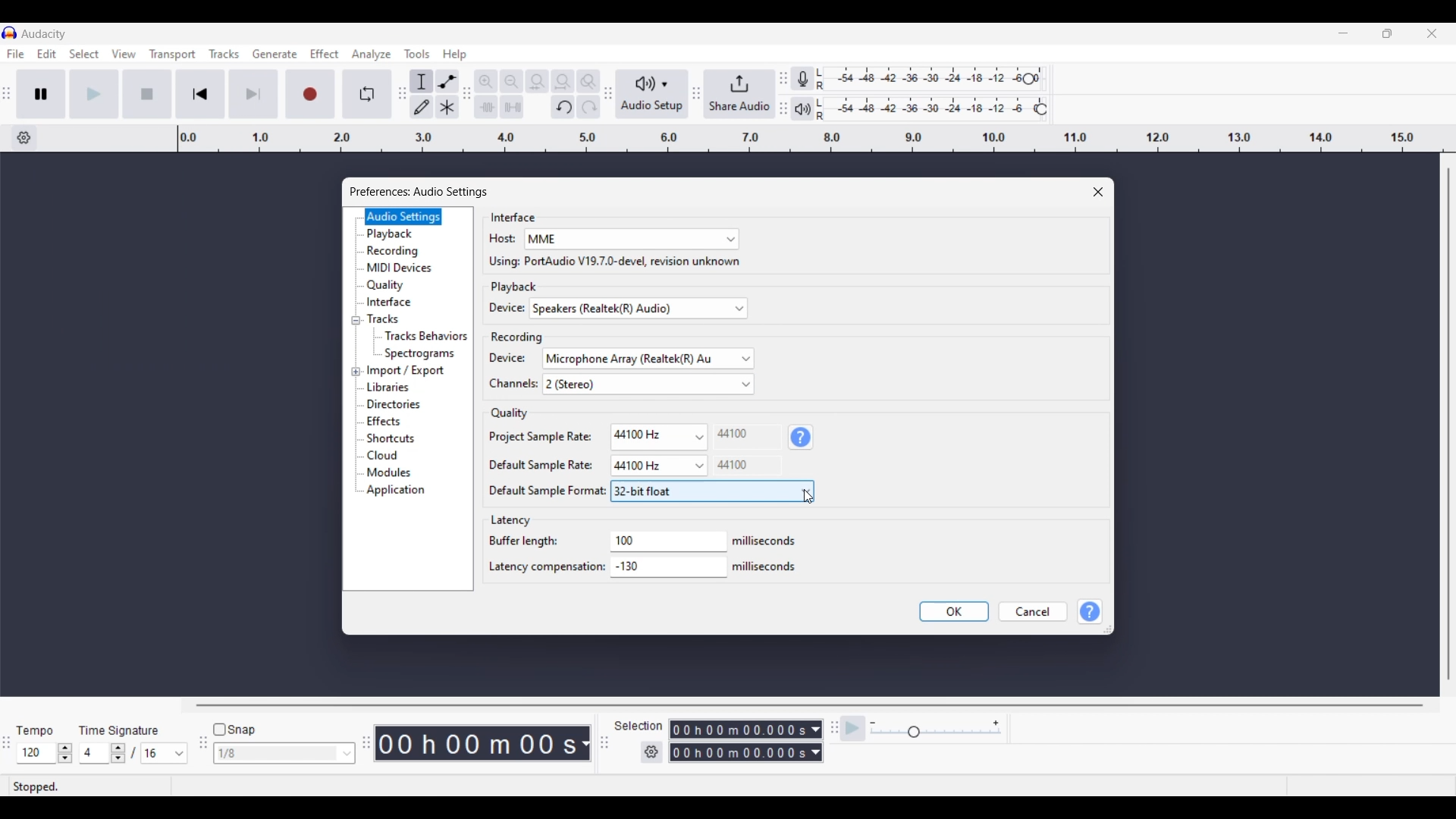  Describe the element at coordinates (853, 729) in the screenshot. I see `Play-at-speed/Play-at-speed oncce` at that location.